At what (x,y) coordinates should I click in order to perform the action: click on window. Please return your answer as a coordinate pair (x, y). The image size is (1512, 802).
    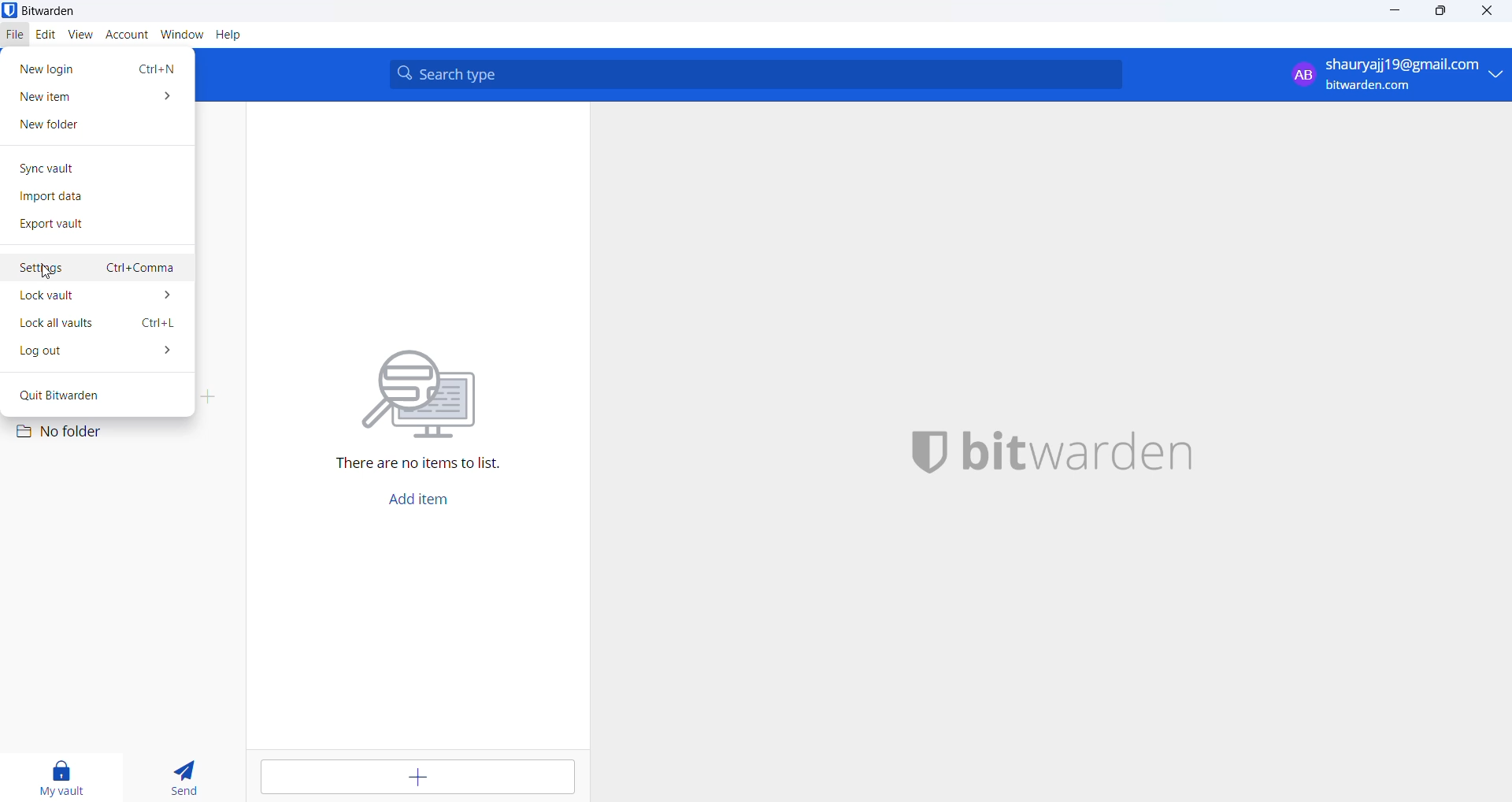
    Looking at the image, I should click on (179, 37).